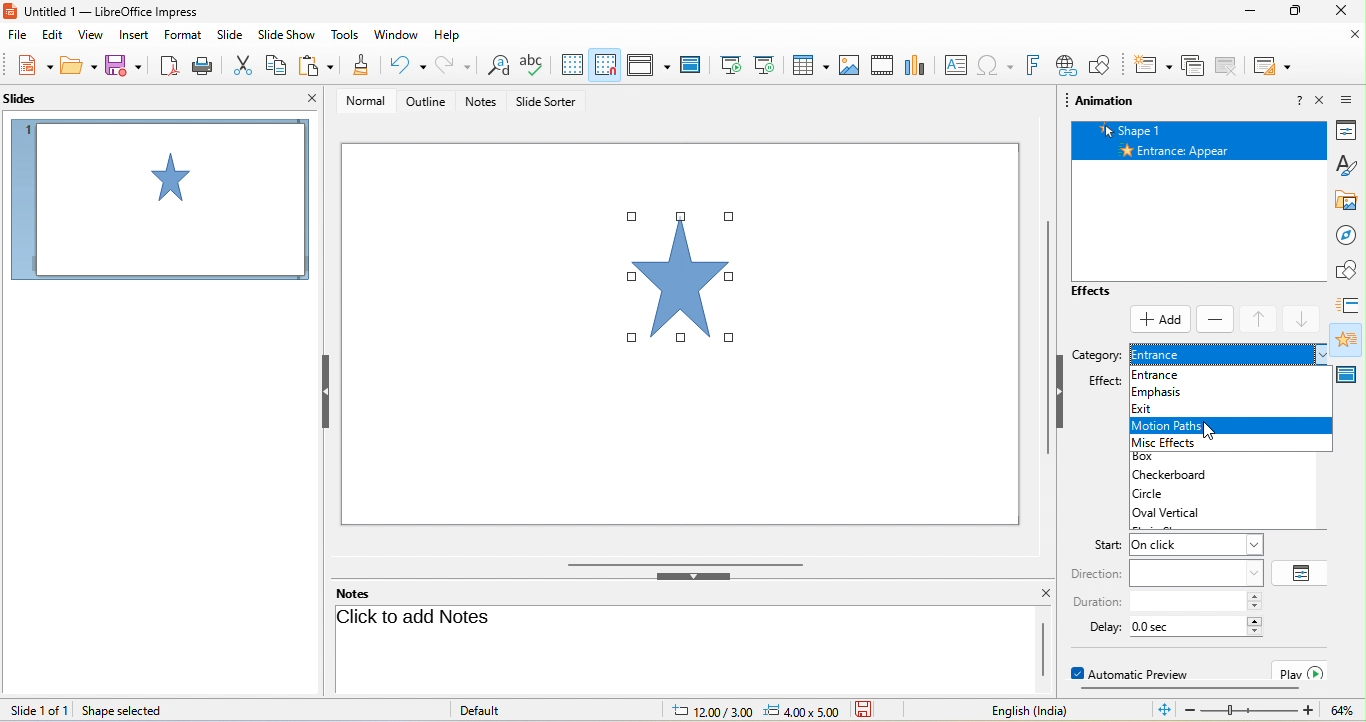 The height and width of the screenshot is (722, 1366). Describe the element at coordinates (1260, 320) in the screenshot. I see `move up` at that location.